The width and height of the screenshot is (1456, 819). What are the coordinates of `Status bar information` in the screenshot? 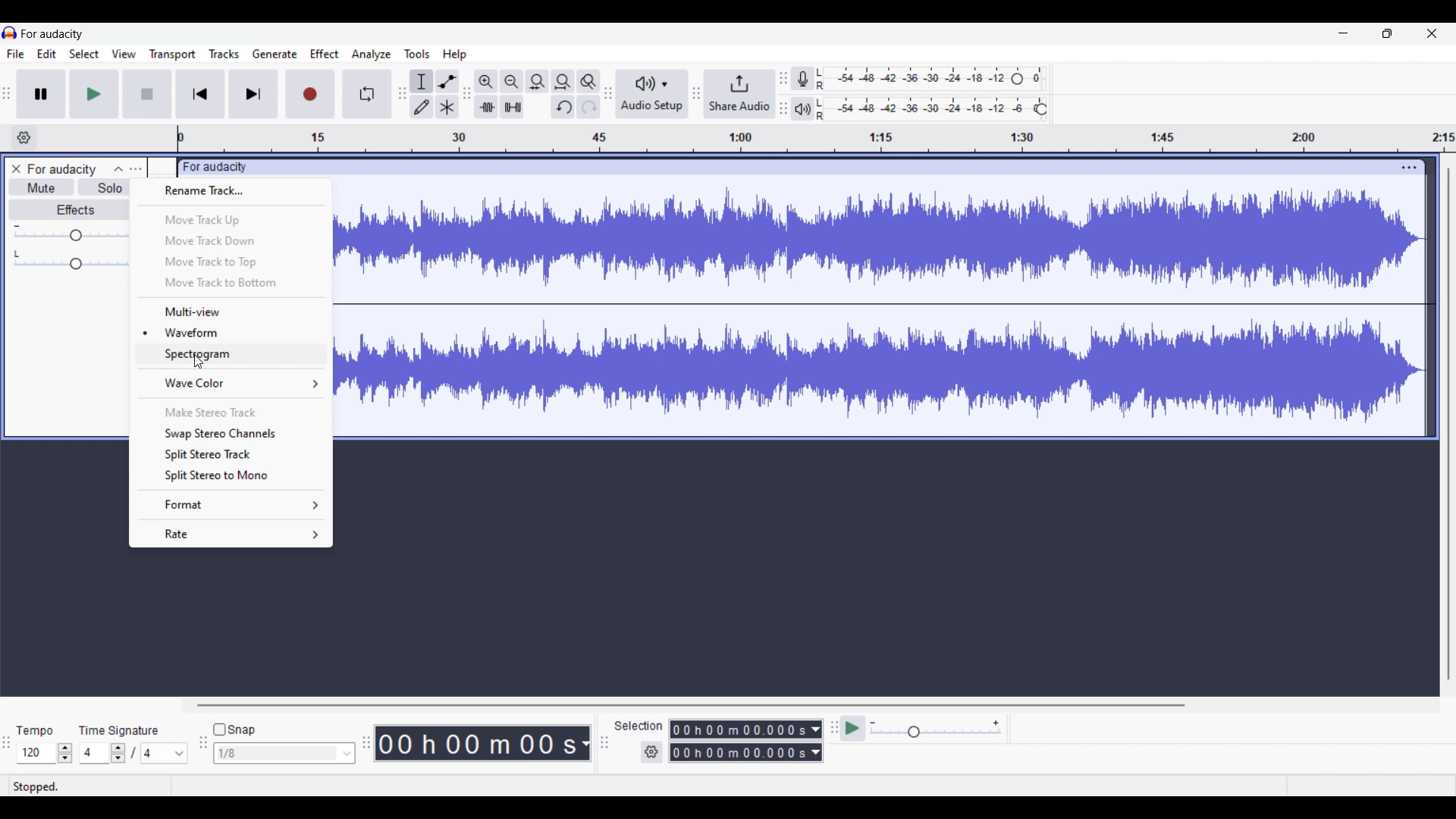 It's located at (224, 786).